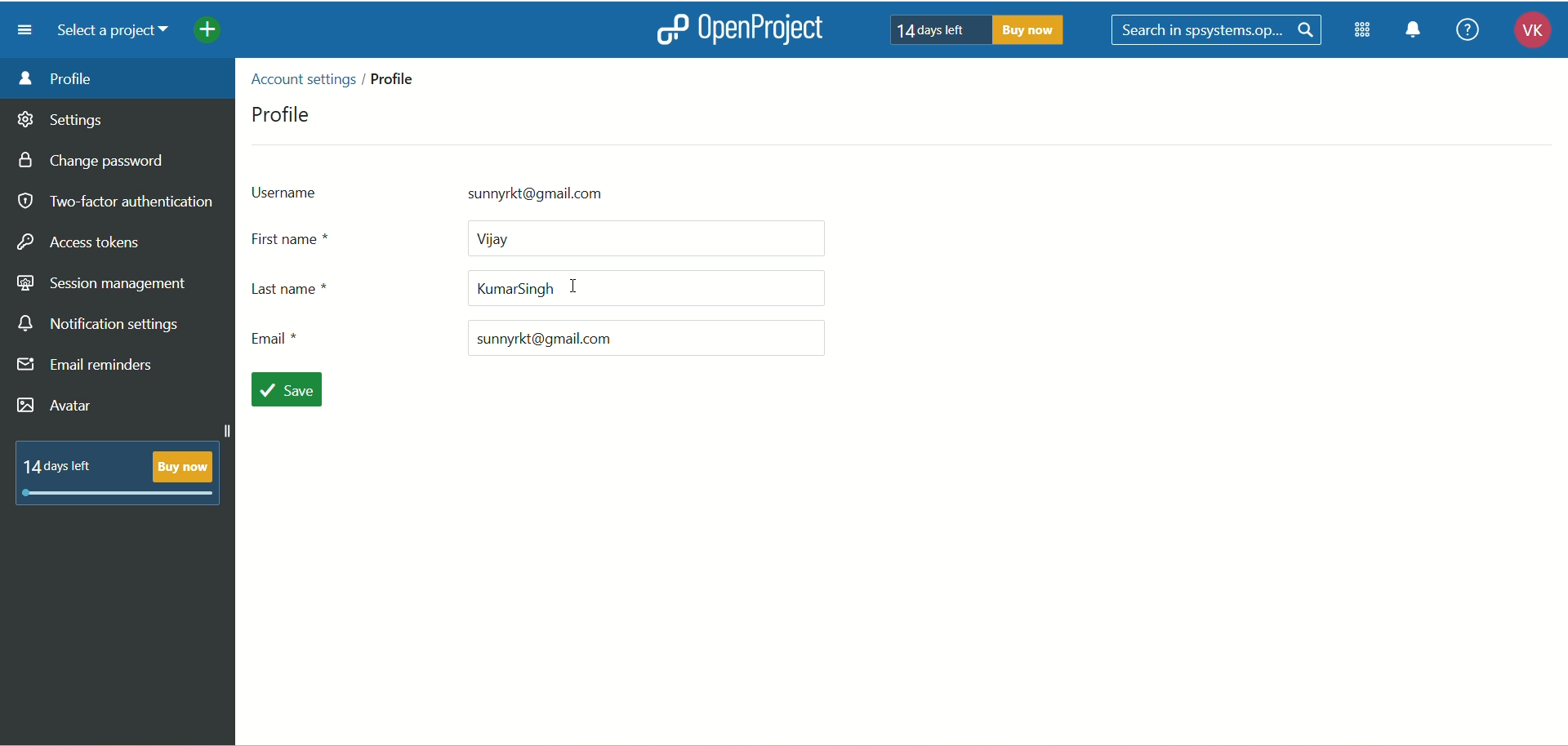 The width and height of the screenshot is (1568, 746). Describe the element at coordinates (770, 31) in the screenshot. I see `openproject` at that location.